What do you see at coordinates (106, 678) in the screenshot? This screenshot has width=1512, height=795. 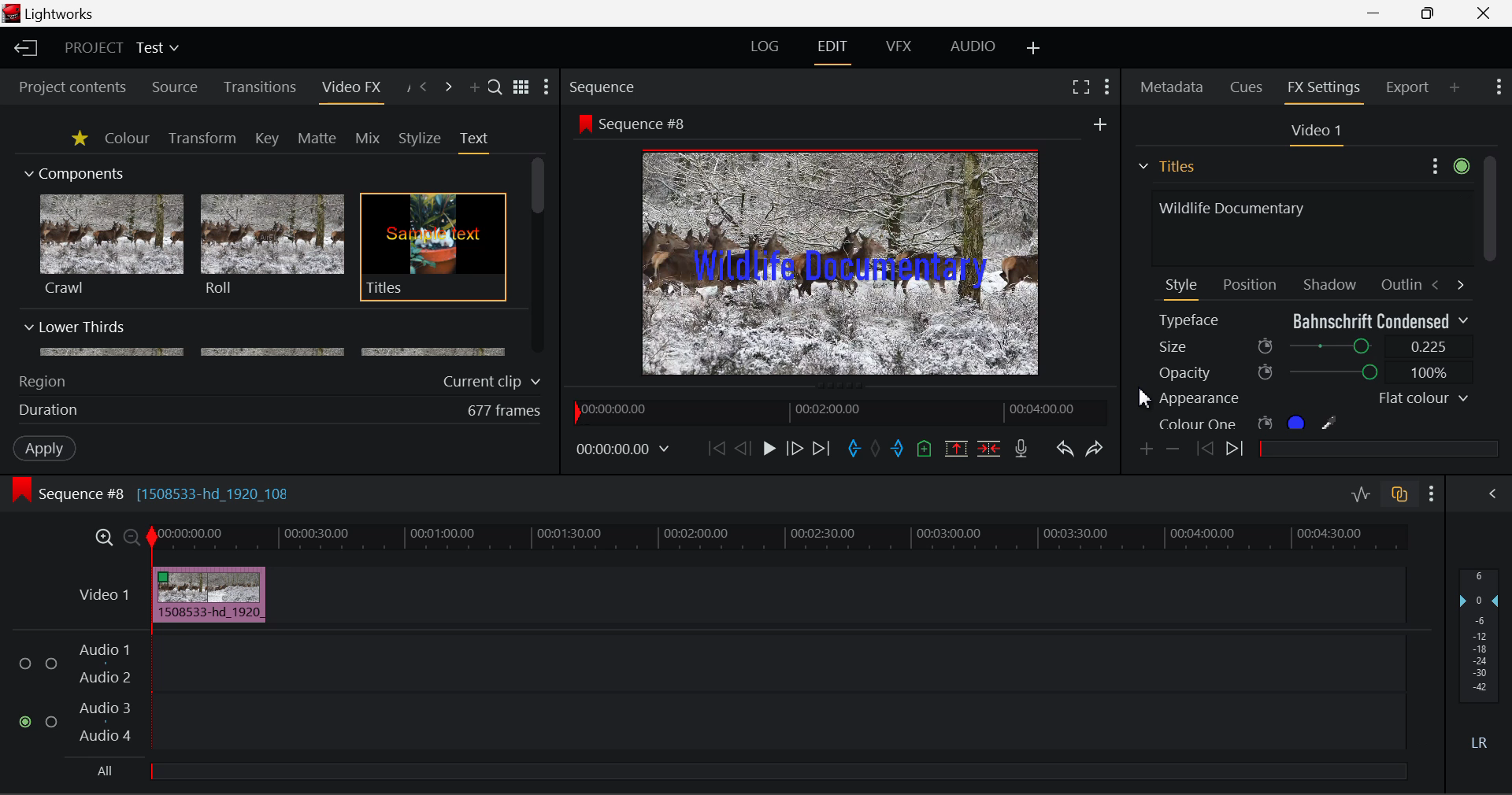 I see `Audio 2` at bounding box center [106, 678].